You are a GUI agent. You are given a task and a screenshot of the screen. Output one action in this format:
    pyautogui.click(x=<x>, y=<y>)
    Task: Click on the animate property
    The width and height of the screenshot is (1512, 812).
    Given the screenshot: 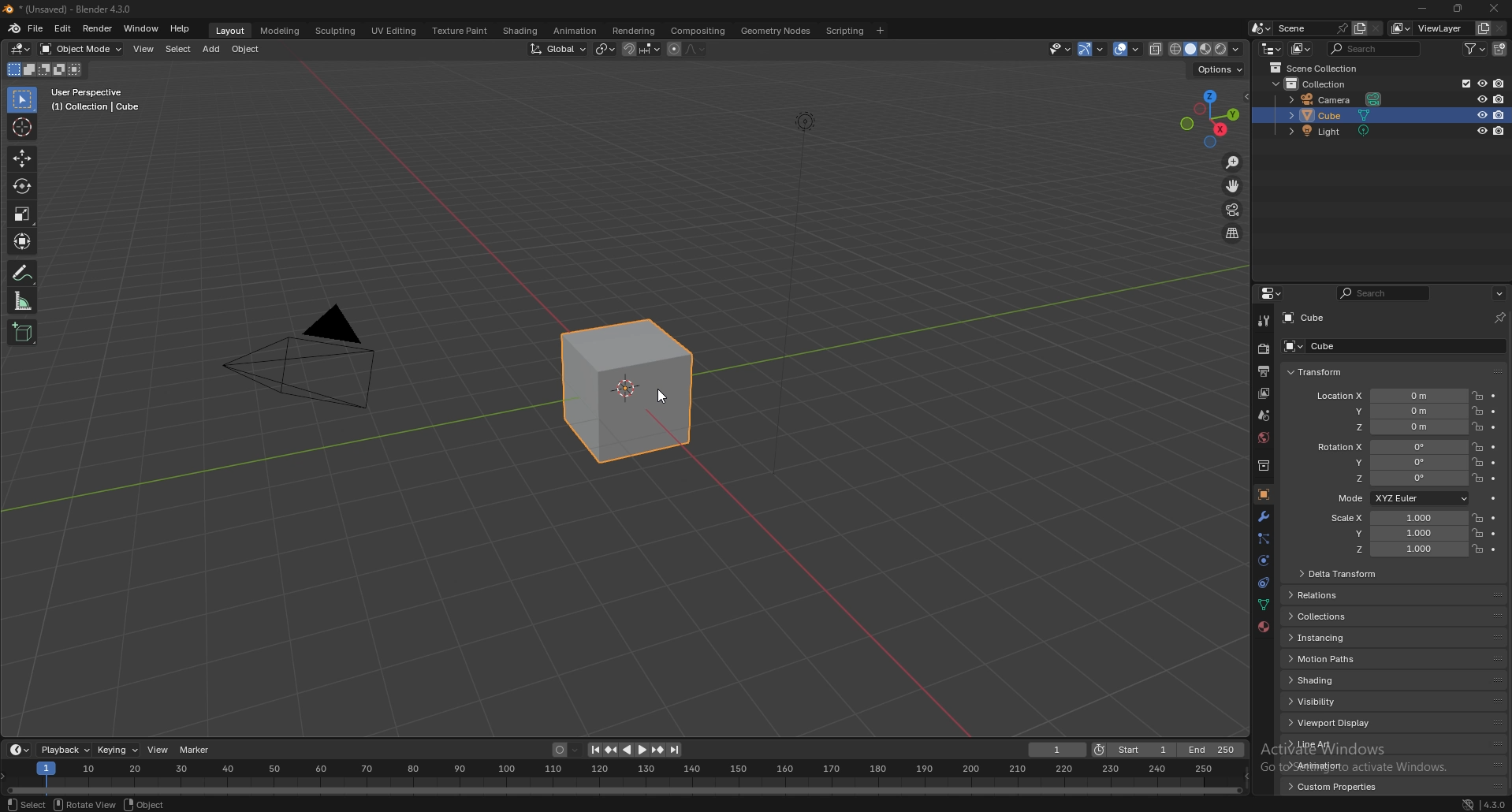 What is the action you would take?
    pyautogui.click(x=1494, y=479)
    